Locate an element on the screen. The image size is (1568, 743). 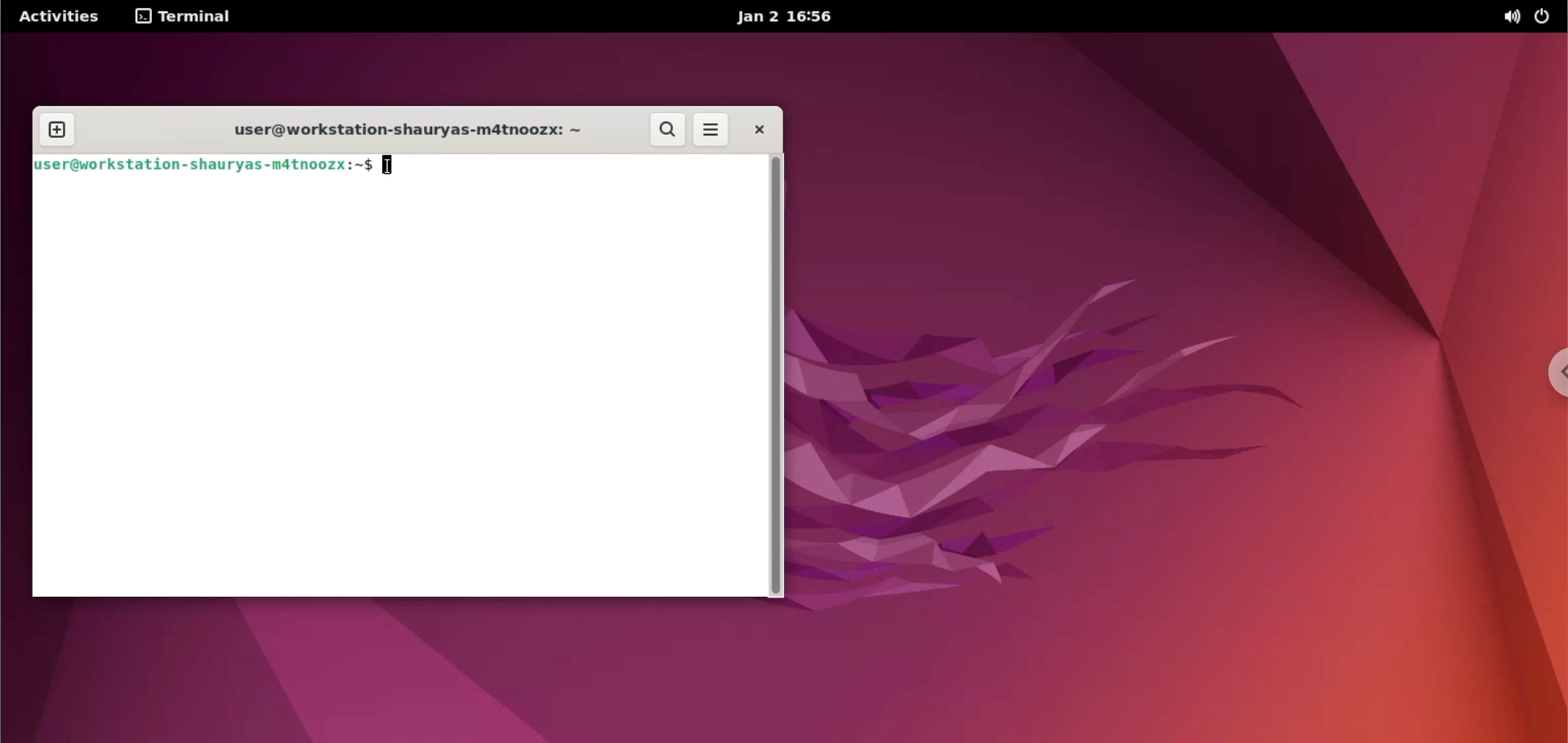
power options is located at coordinates (1546, 17).